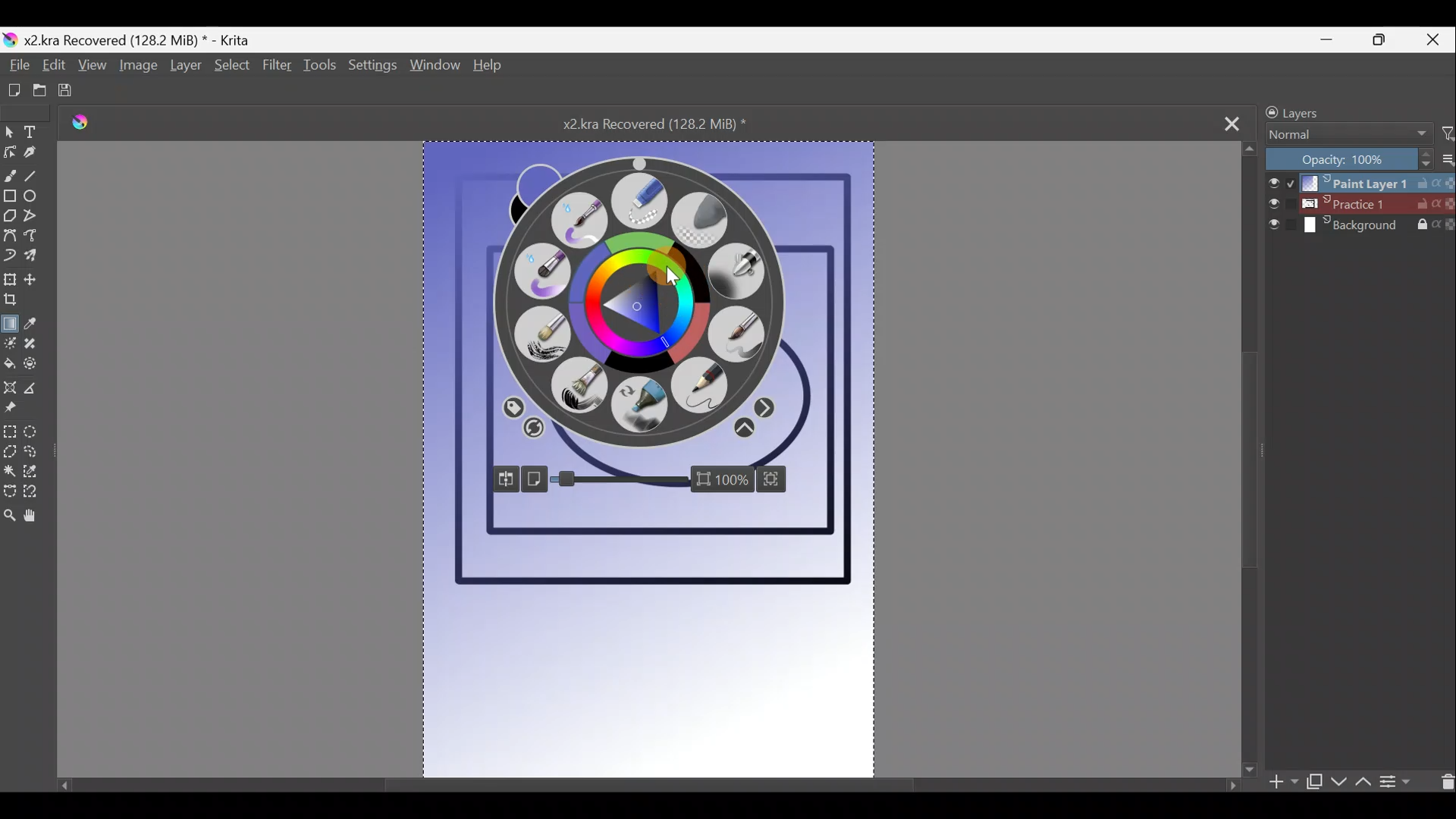 This screenshot has width=1456, height=819. Describe the element at coordinates (1337, 782) in the screenshot. I see `Move layer/mask down` at that location.